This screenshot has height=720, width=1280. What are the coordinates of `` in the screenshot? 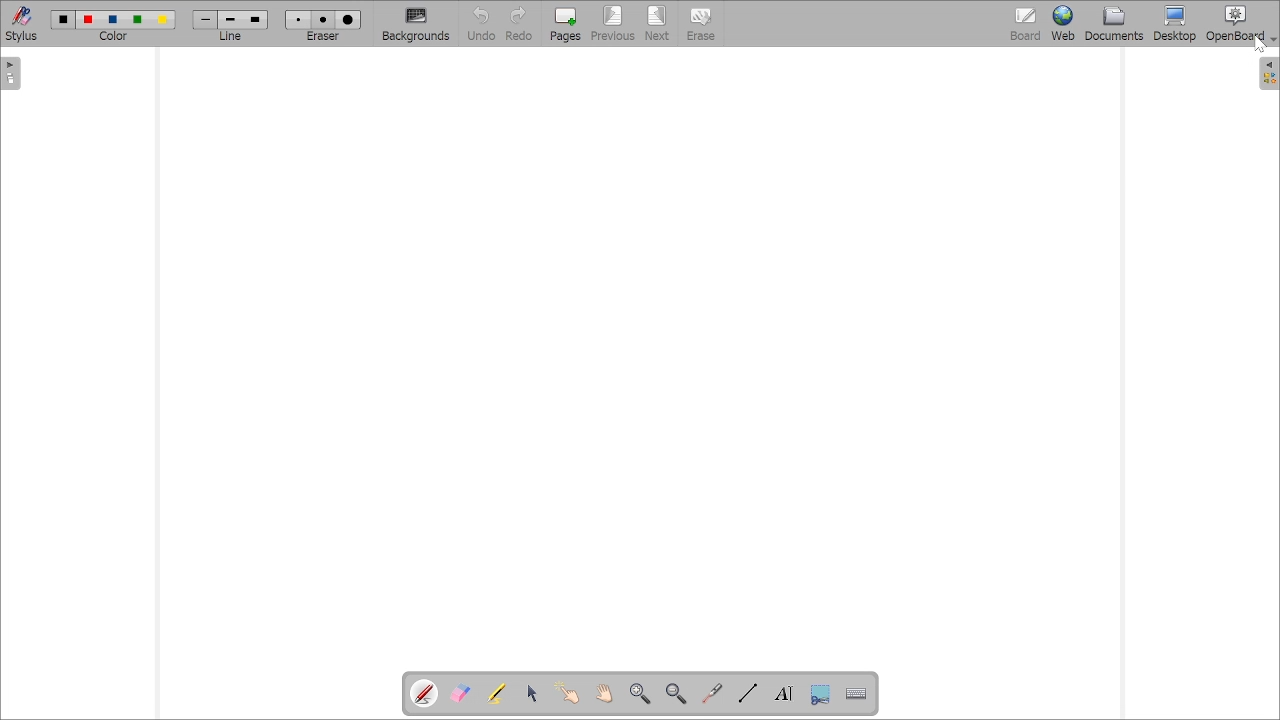 It's located at (1177, 23).